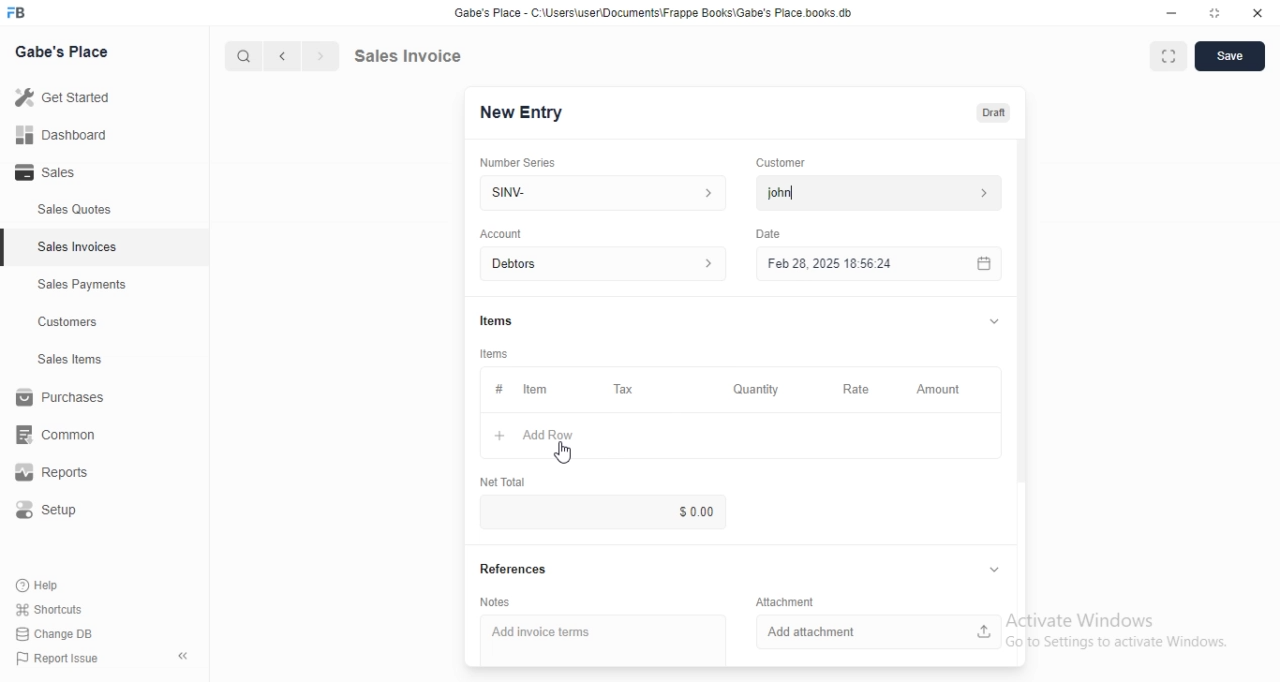  Describe the element at coordinates (607, 264) in the screenshot. I see `Account` at that location.